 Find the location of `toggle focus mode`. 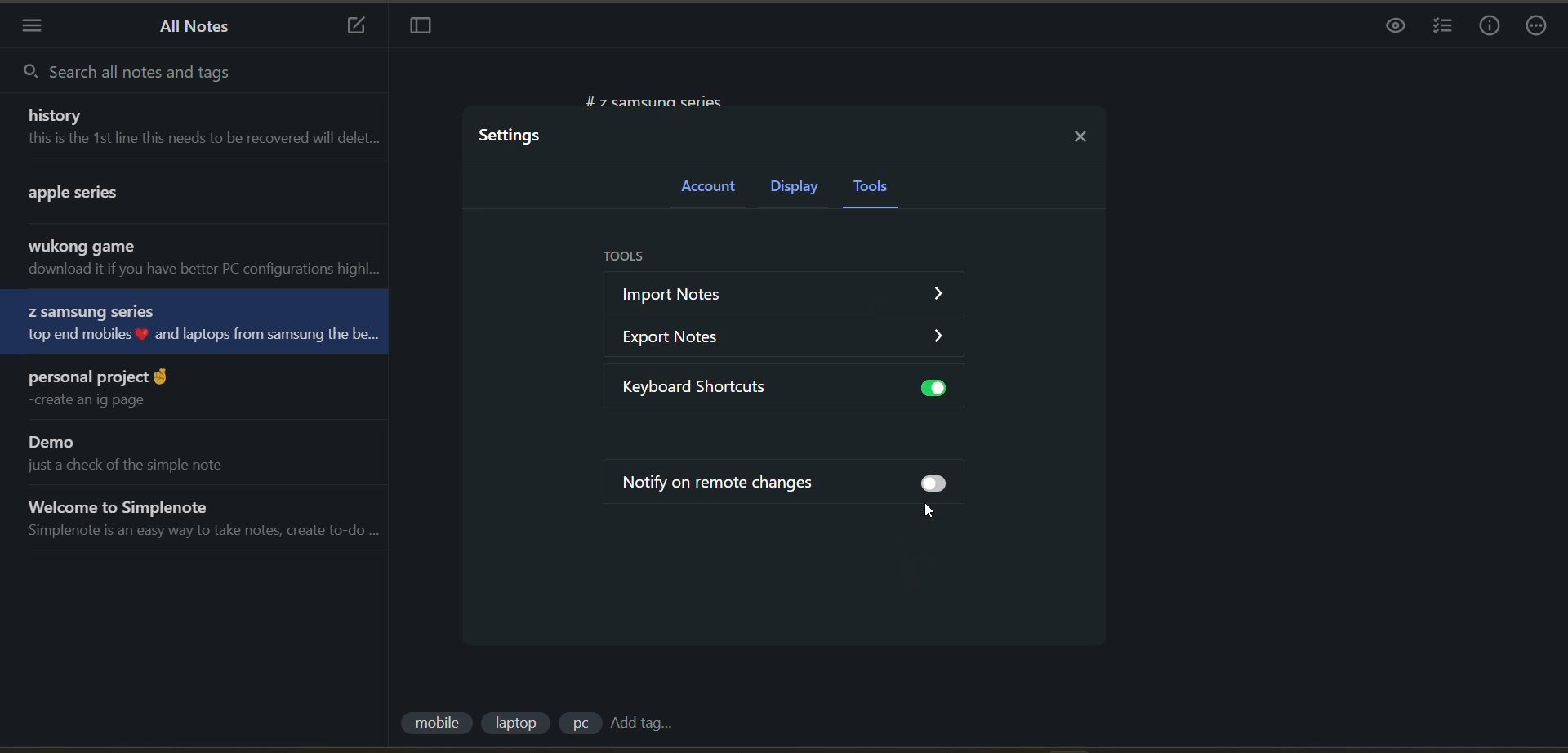

toggle focus mode is located at coordinates (422, 26).